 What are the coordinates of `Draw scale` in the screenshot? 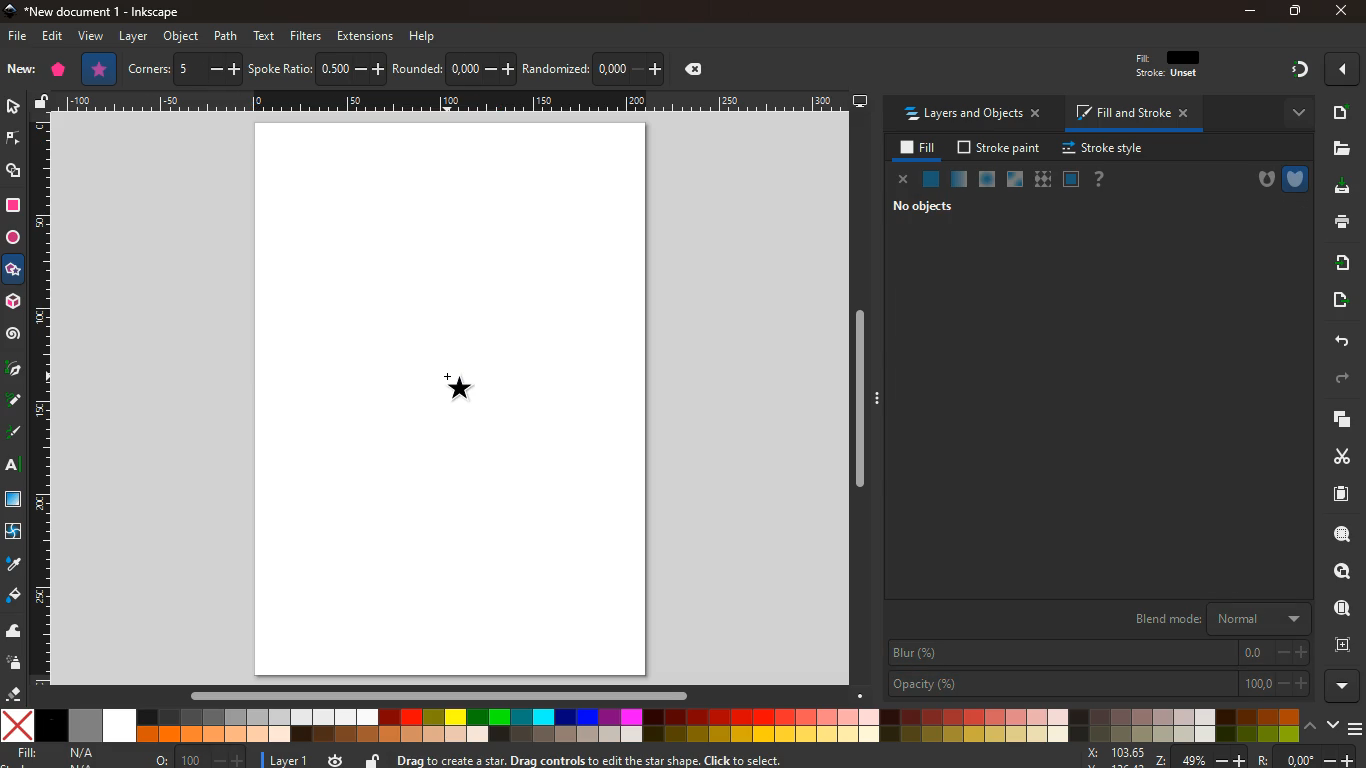 It's located at (50, 404).